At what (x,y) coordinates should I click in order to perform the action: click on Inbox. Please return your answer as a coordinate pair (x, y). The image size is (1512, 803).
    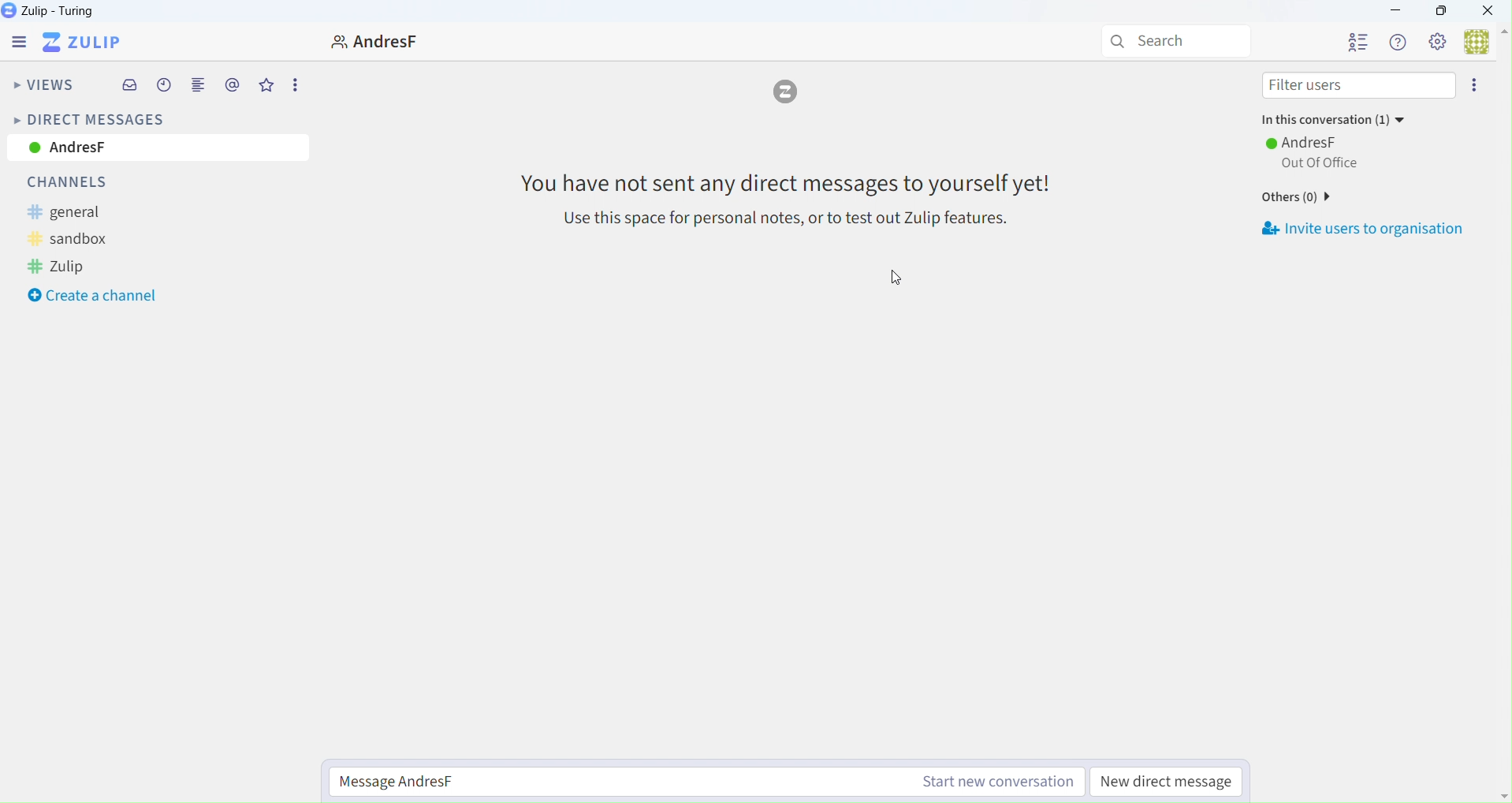
    Looking at the image, I should click on (132, 86).